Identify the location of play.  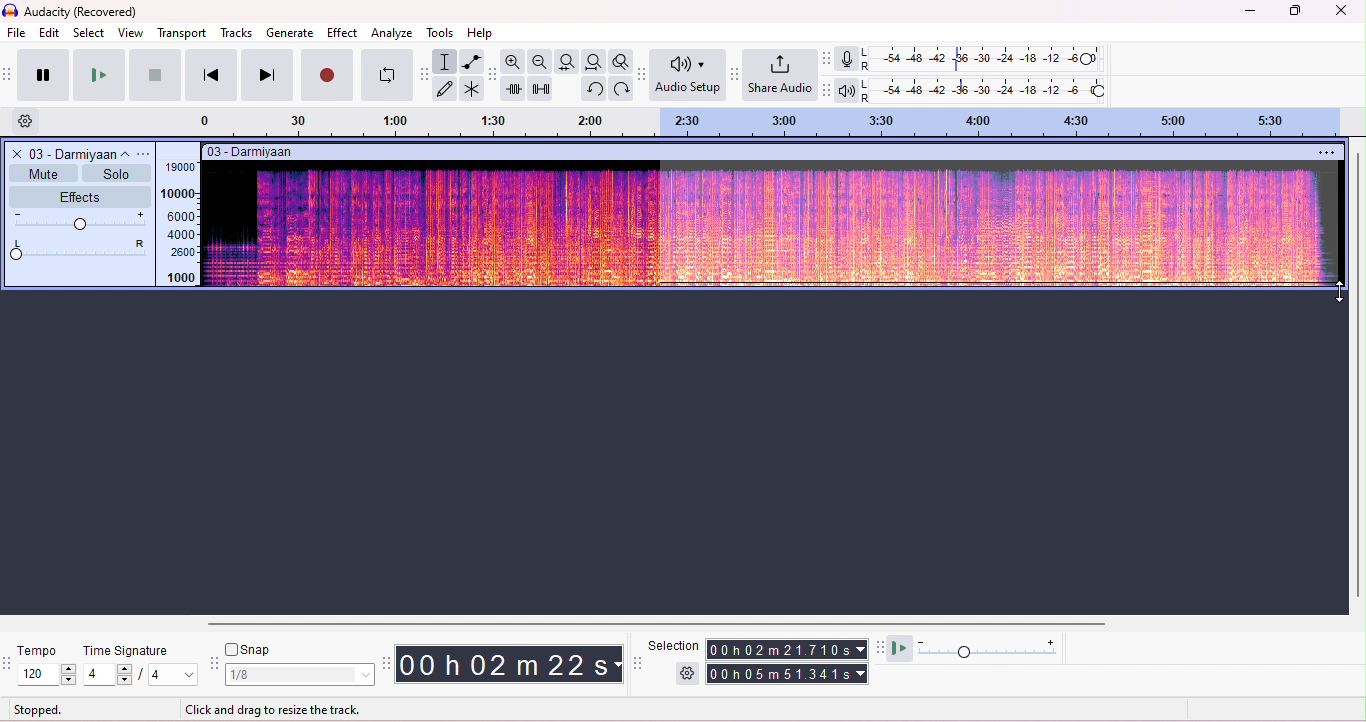
(97, 75).